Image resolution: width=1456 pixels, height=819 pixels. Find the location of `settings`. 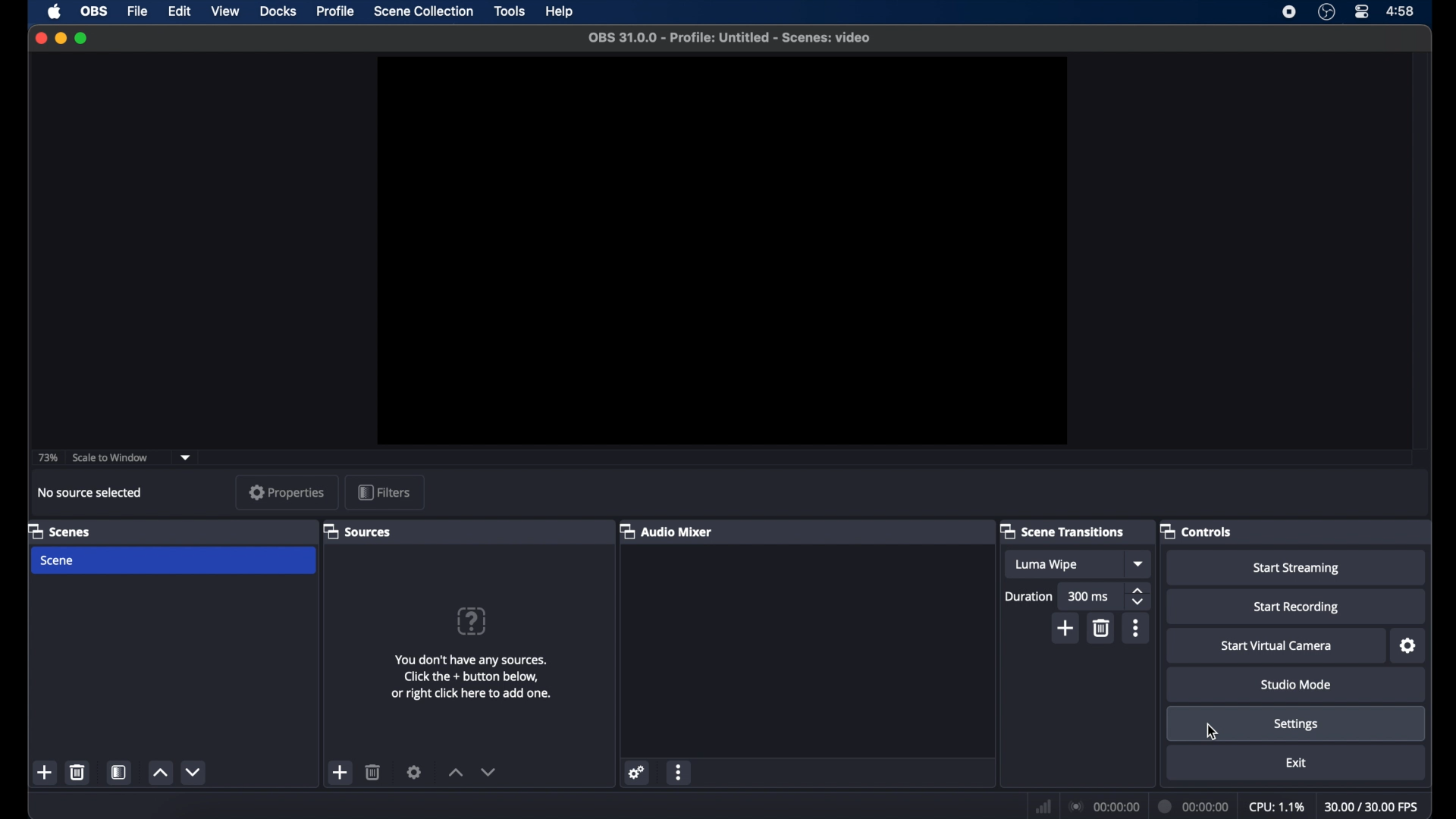

settings is located at coordinates (1407, 646).